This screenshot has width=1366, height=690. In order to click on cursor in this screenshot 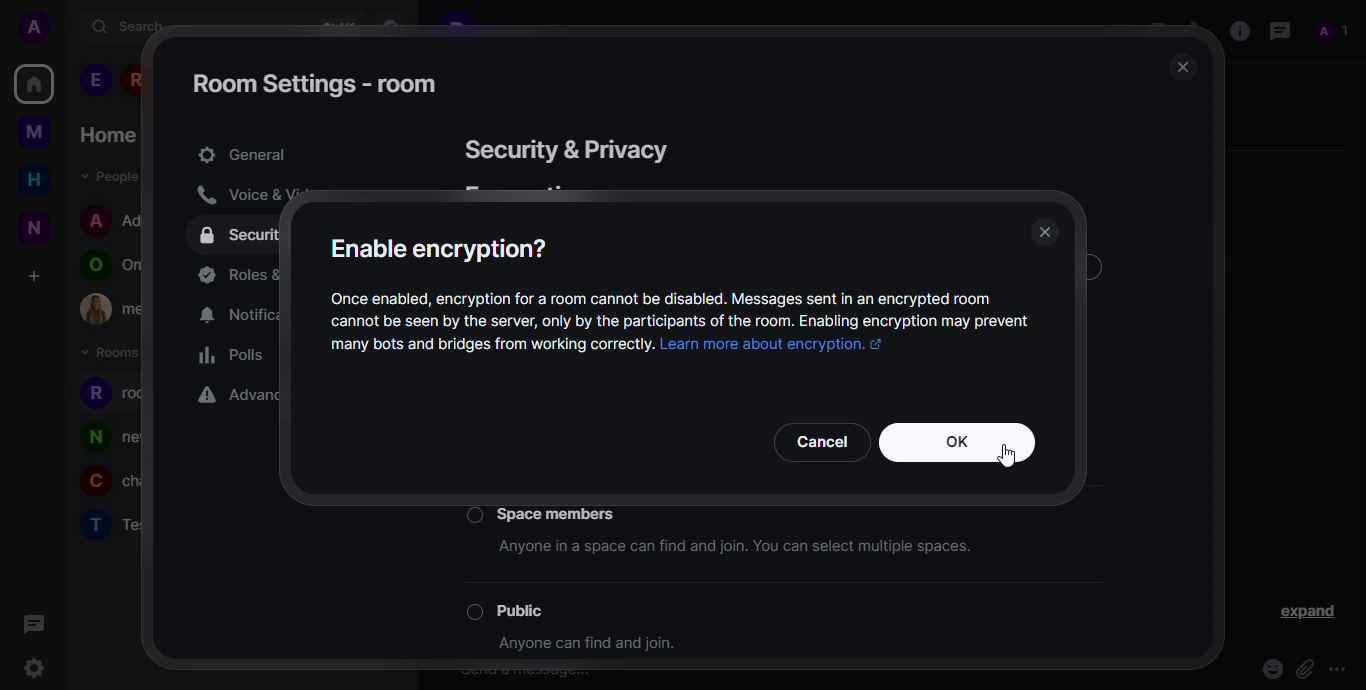, I will do `click(1009, 458)`.